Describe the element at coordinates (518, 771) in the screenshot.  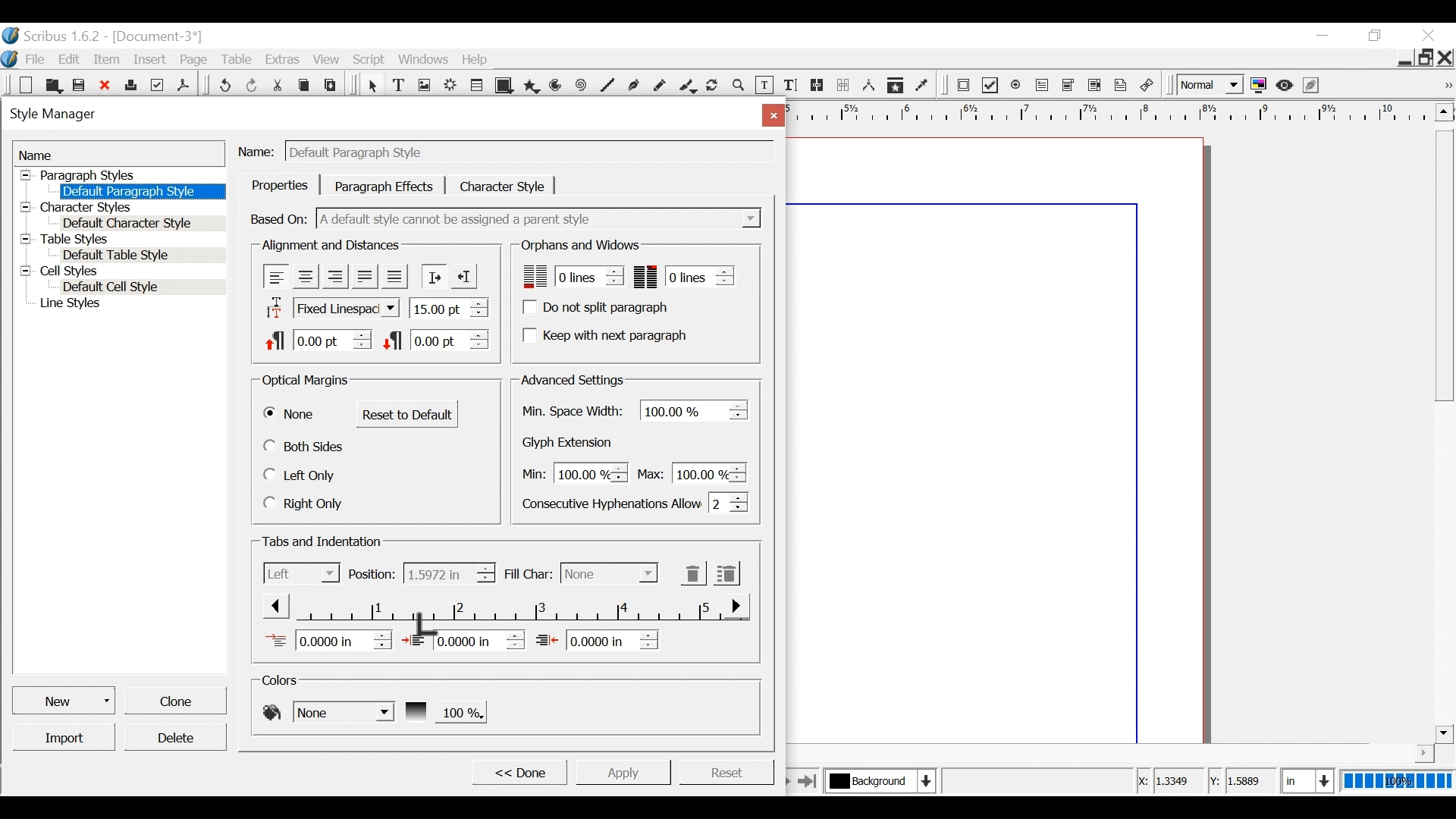
I see `Done` at that location.